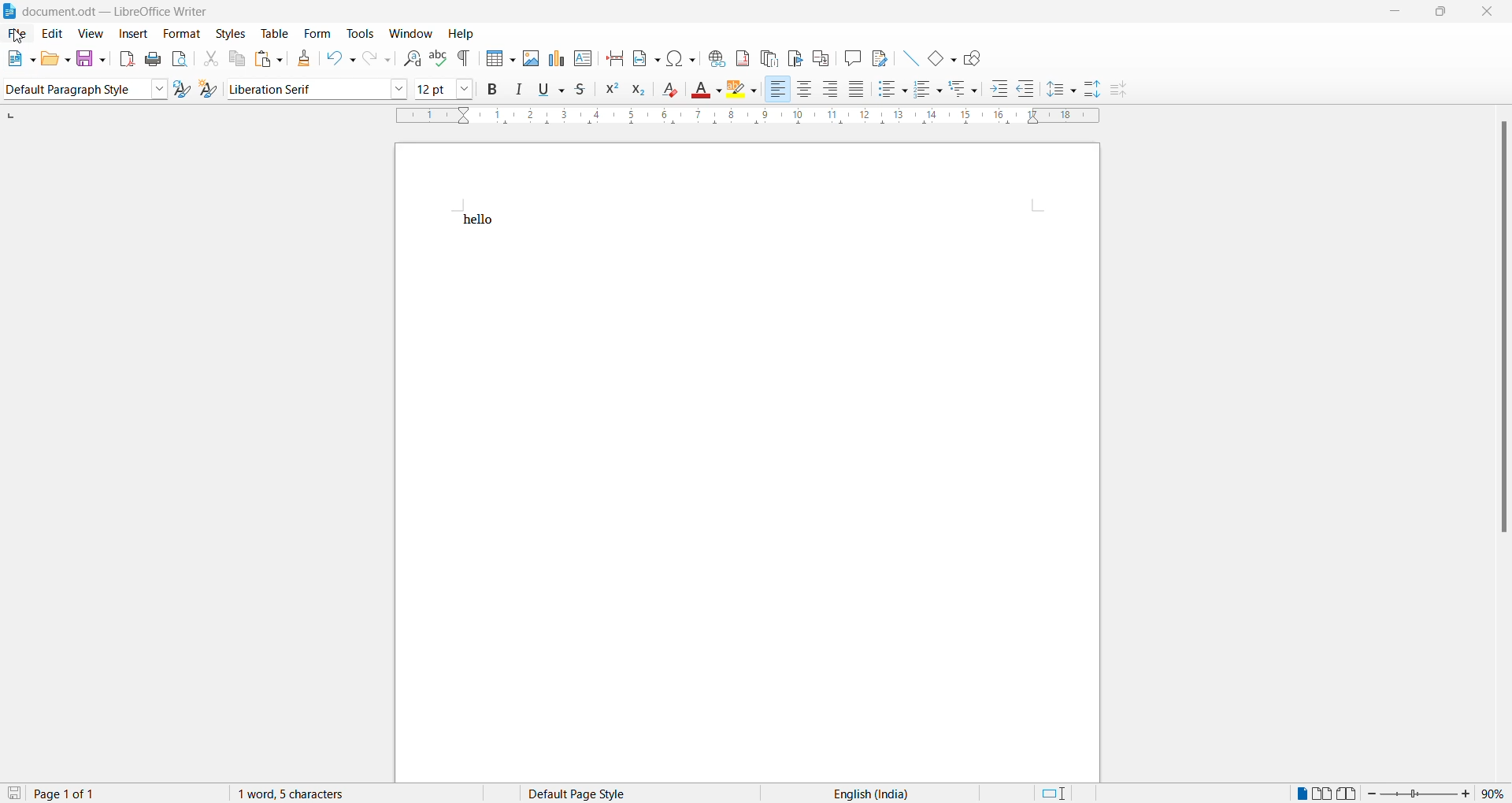 The height and width of the screenshot is (803, 1512). I want to click on styles, so click(229, 34).